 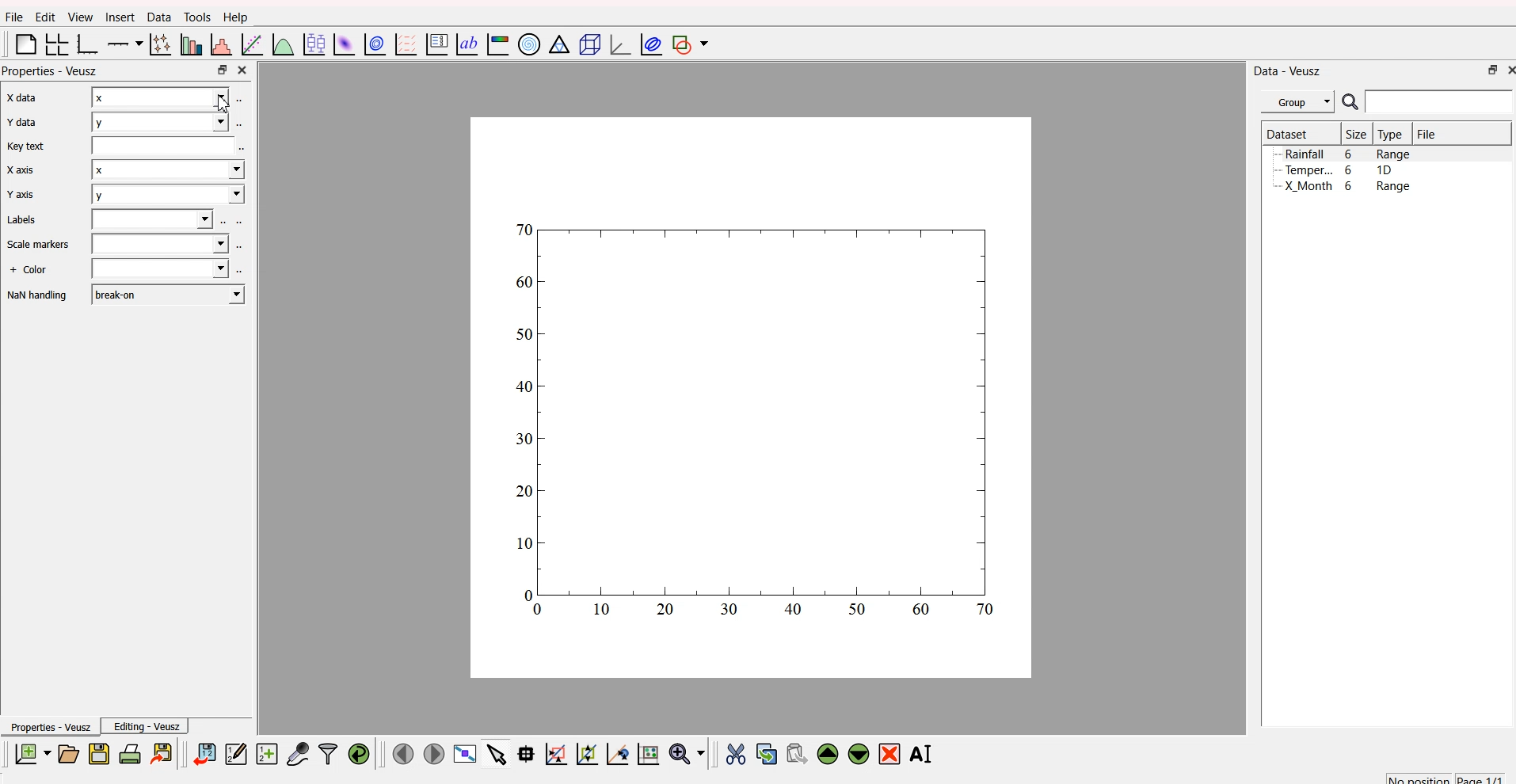 What do you see at coordinates (342, 44) in the screenshot?
I see `plot dataset` at bounding box center [342, 44].